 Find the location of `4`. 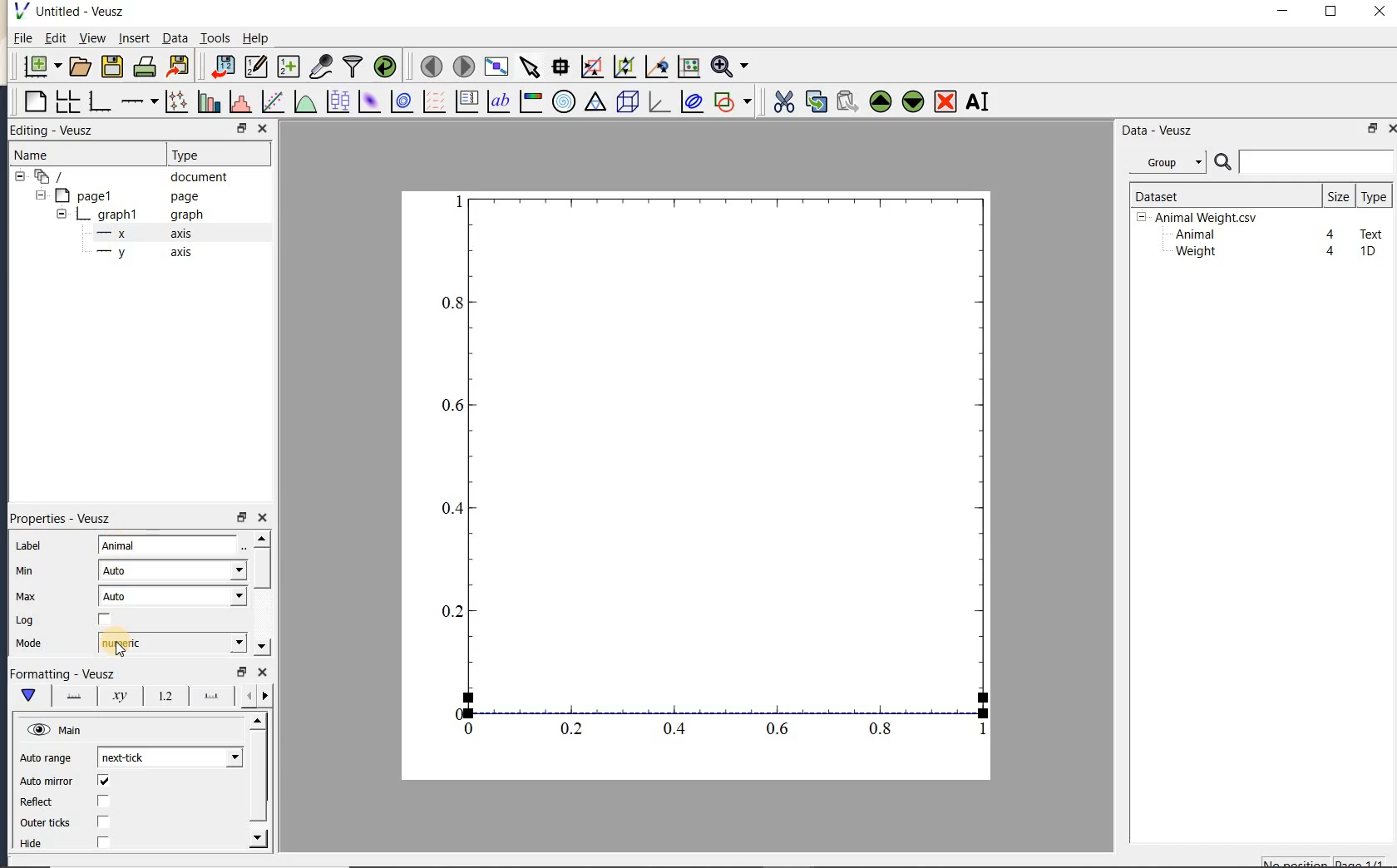

4 is located at coordinates (1331, 235).